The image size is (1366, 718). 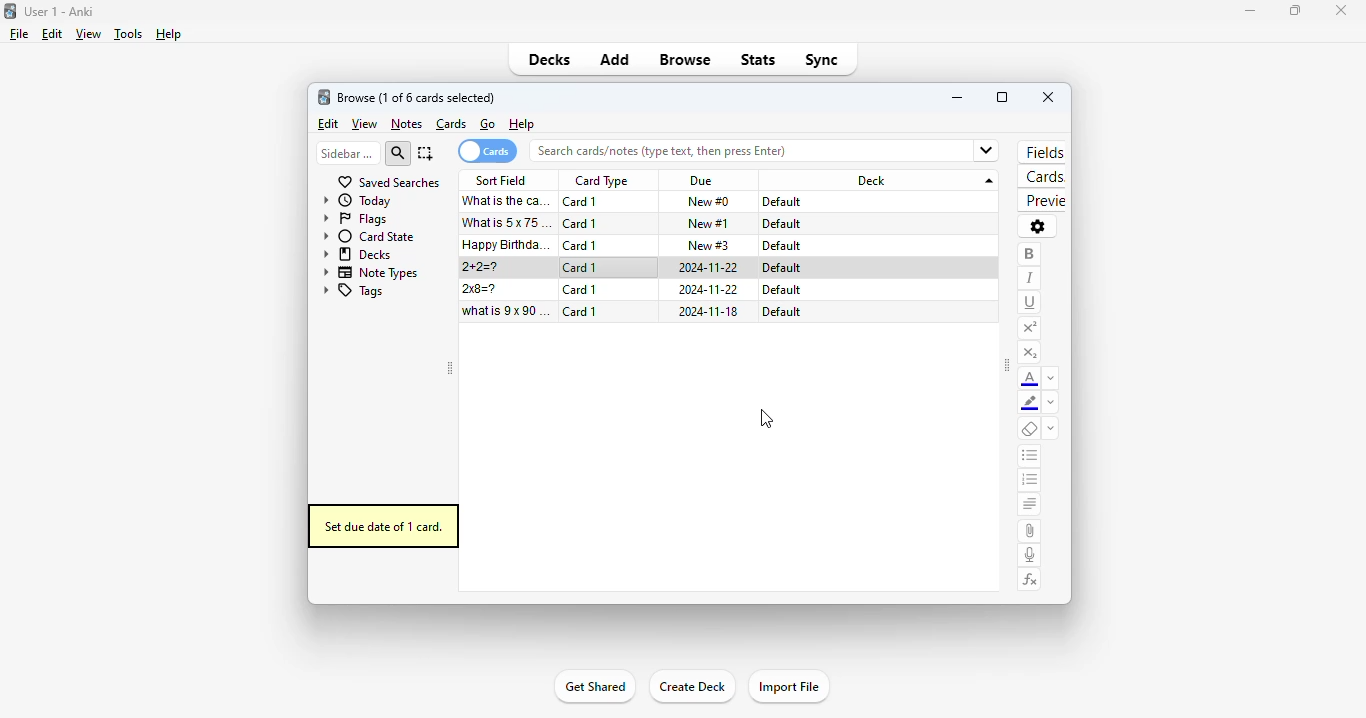 I want to click on default, so click(x=780, y=311).